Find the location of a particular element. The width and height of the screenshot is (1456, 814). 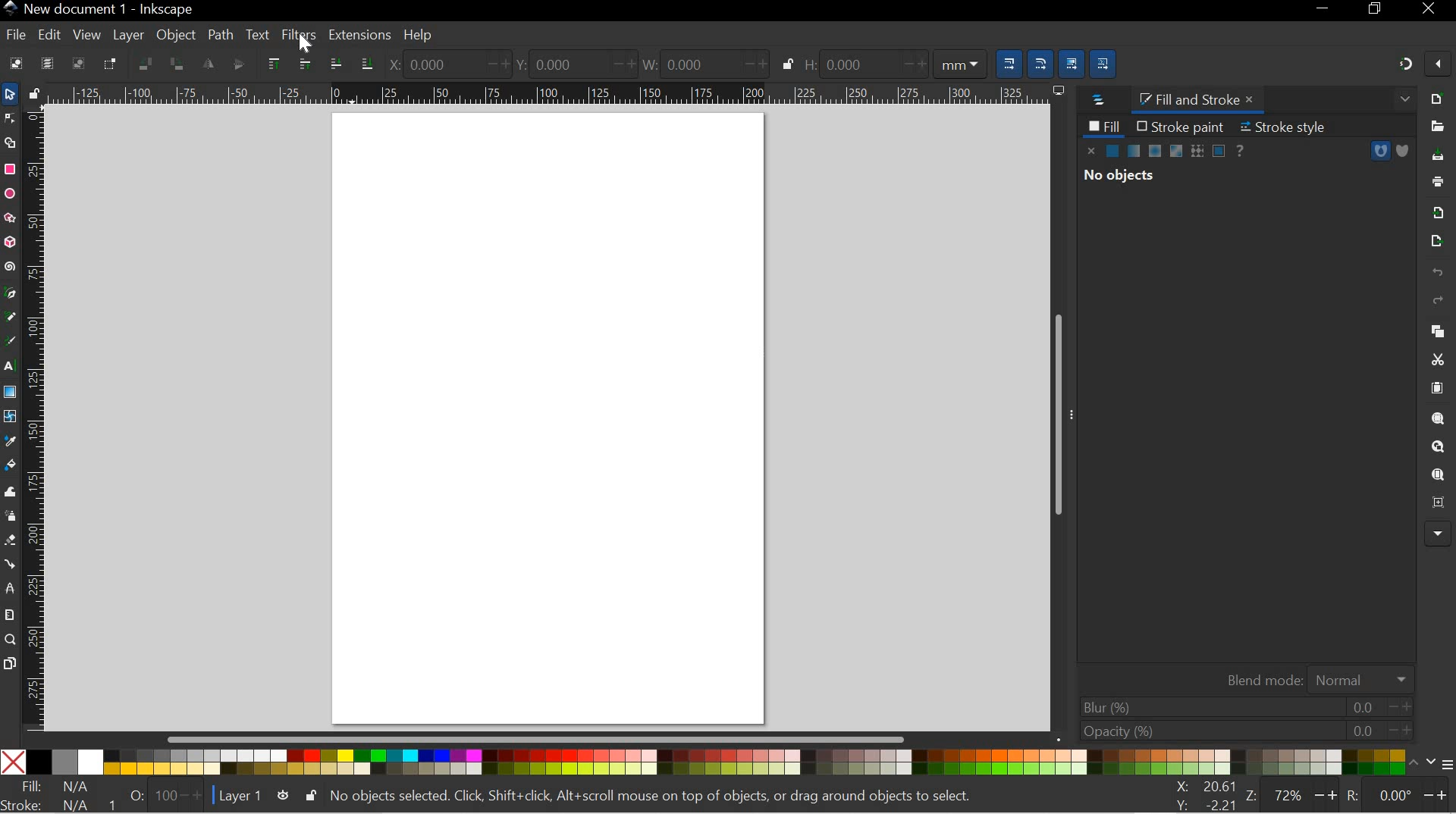

TOGGLE LOCK is located at coordinates (33, 92).